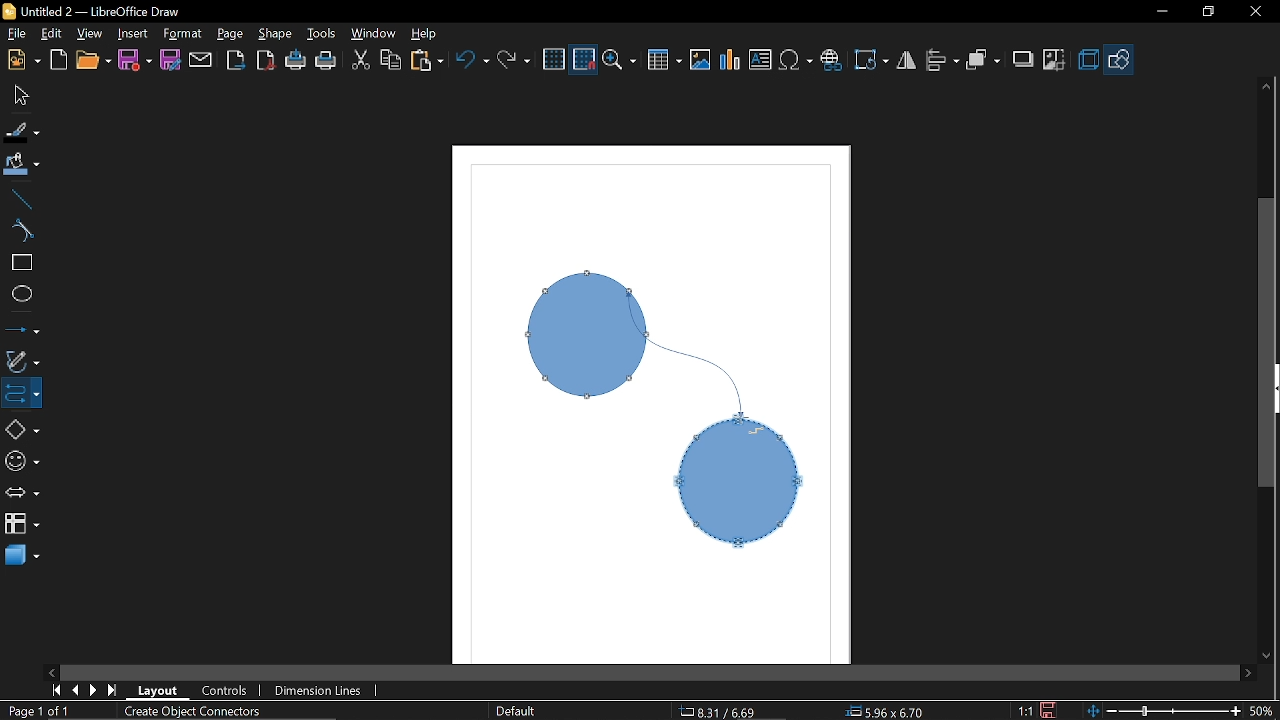 This screenshot has width=1280, height=720. What do you see at coordinates (1254, 13) in the screenshot?
I see `Close` at bounding box center [1254, 13].